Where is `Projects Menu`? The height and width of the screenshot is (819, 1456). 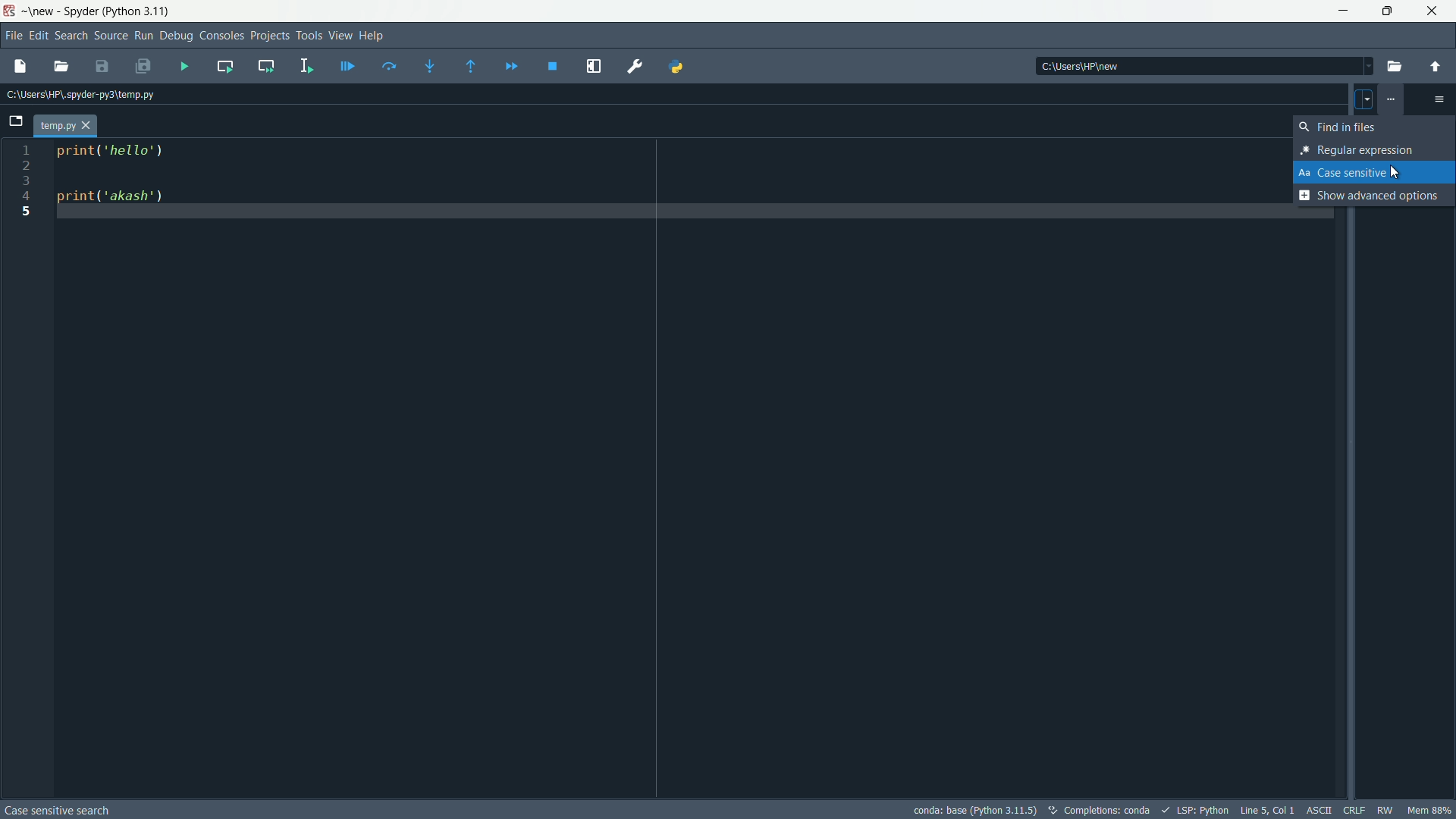
Projects Menu is located at coordinates (267, 35).